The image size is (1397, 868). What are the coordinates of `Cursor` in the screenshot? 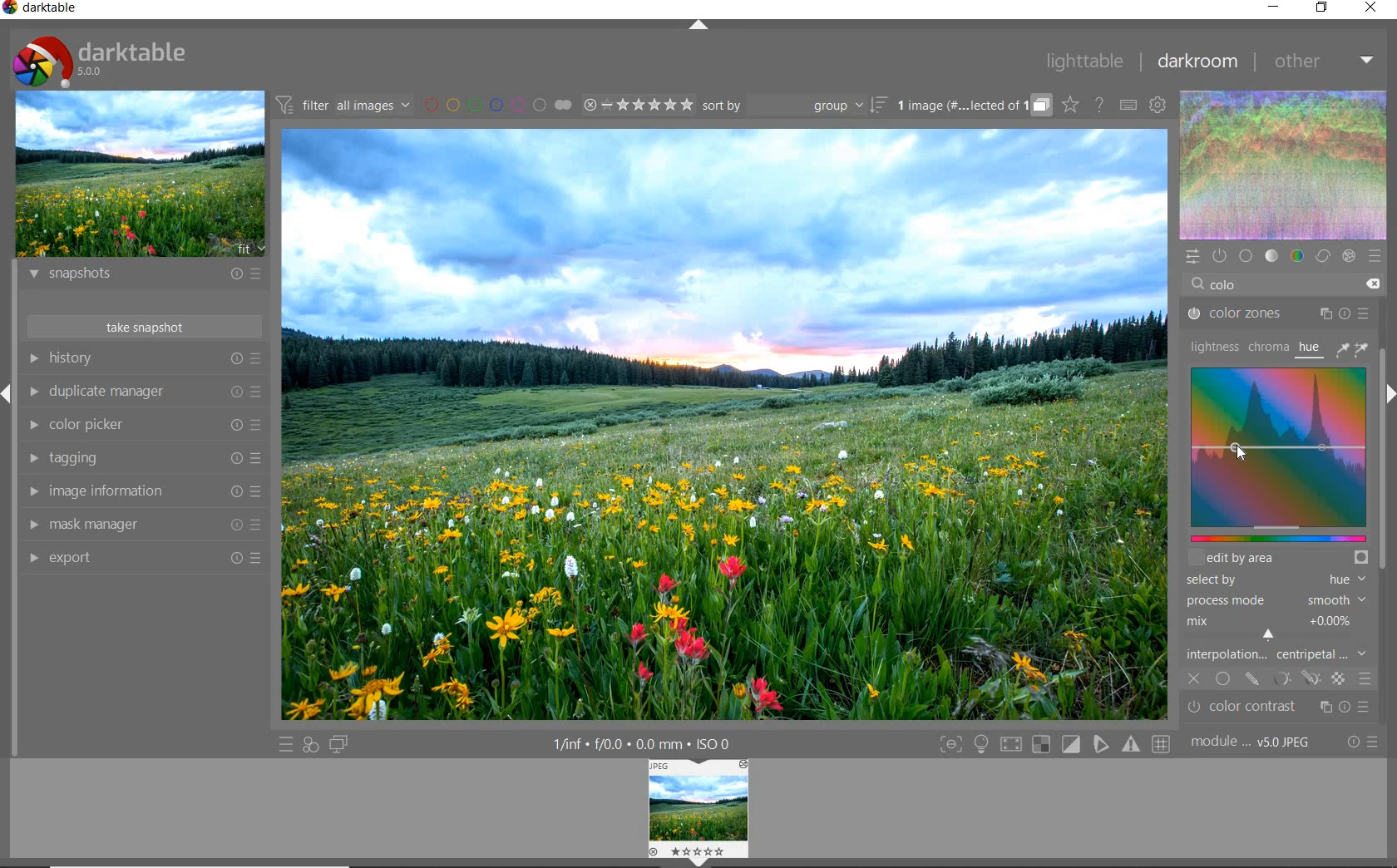 It's located at (1246, 454).